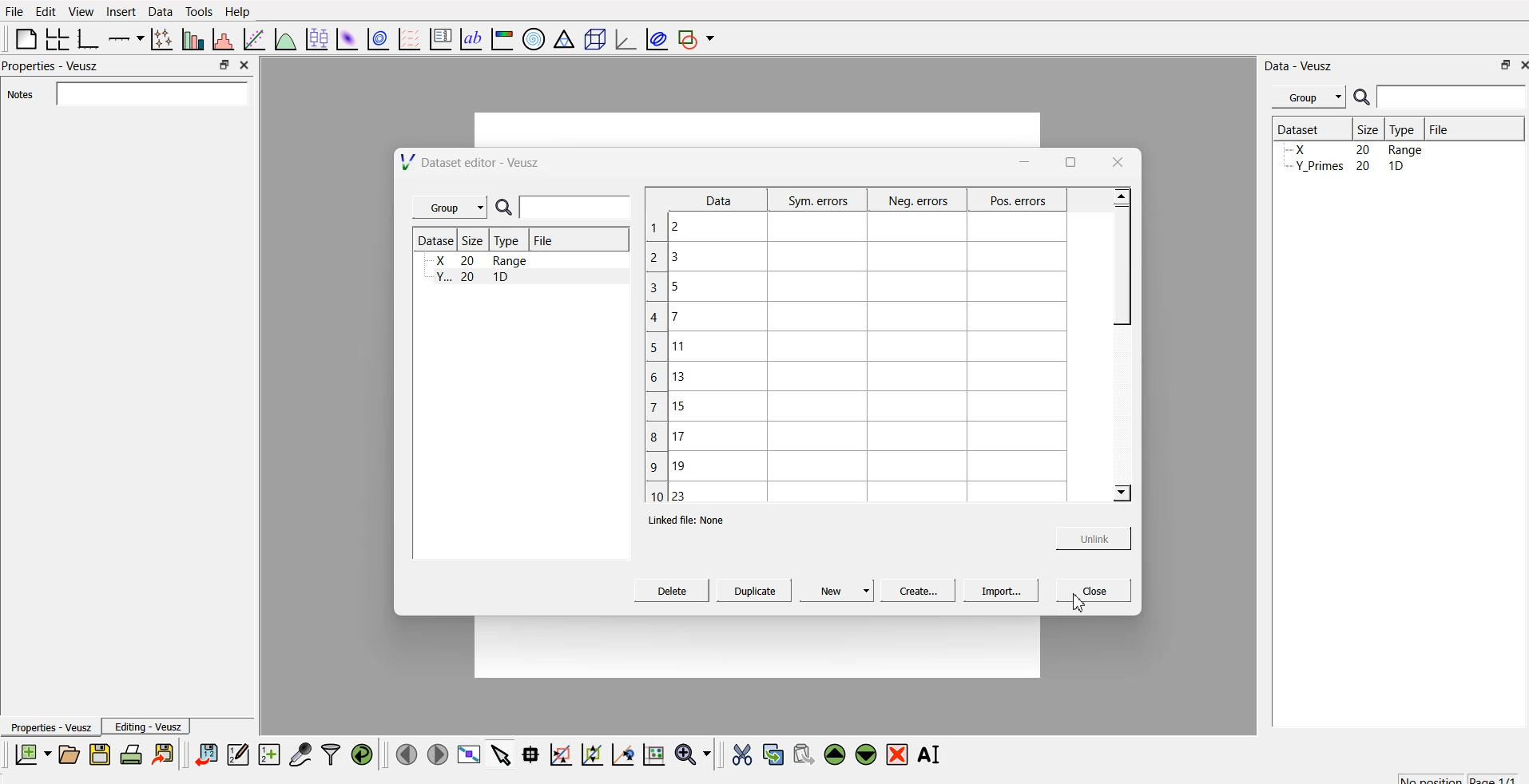  Describe the element at coordinates (469, 278) in the screenshot. I see `y... 20 10` at that location.